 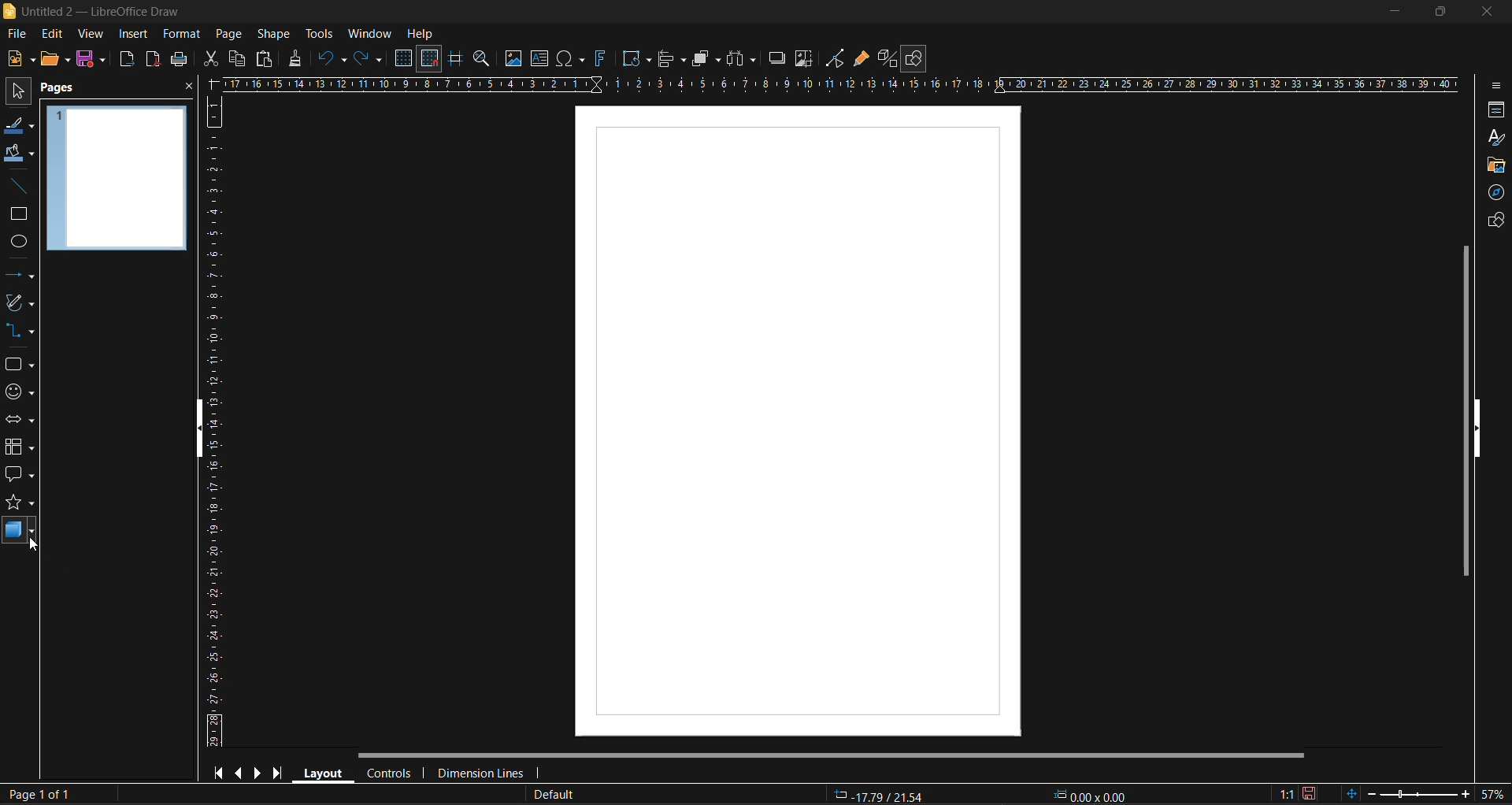 I want to click on sidebar, so click(x=1494, y=83).